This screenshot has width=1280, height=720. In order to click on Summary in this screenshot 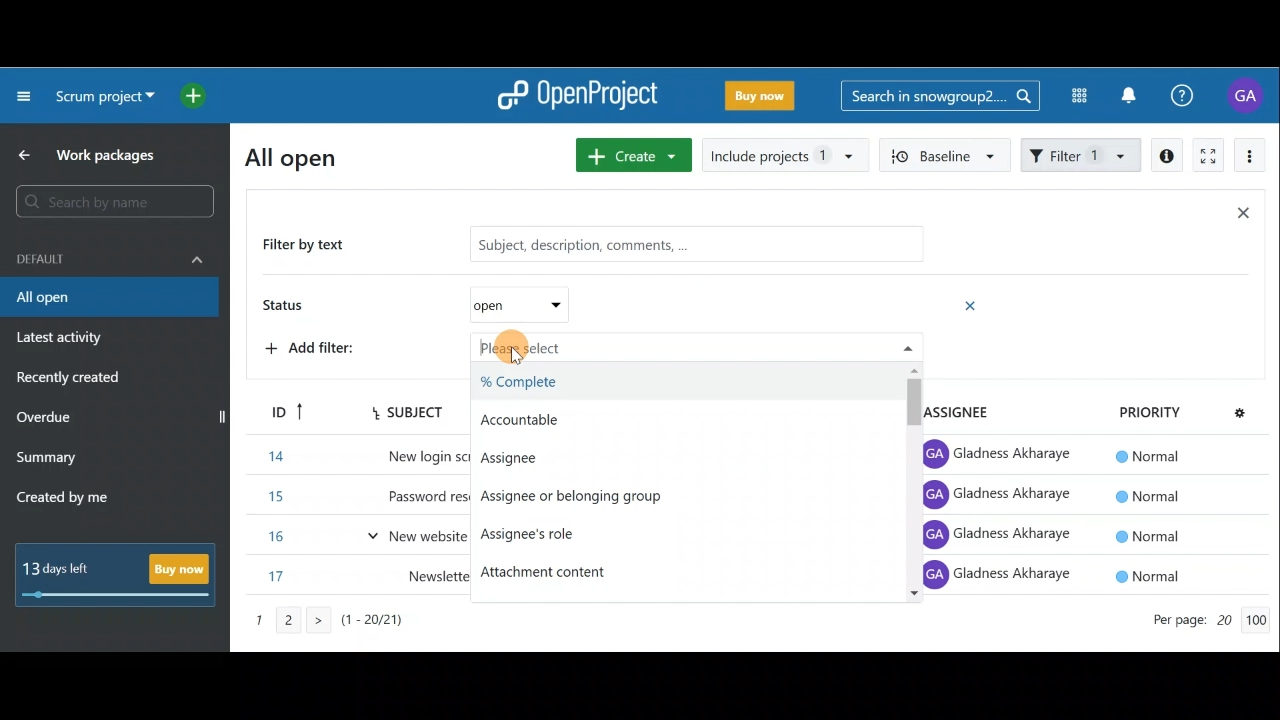, I will do `click(47, 460)`.